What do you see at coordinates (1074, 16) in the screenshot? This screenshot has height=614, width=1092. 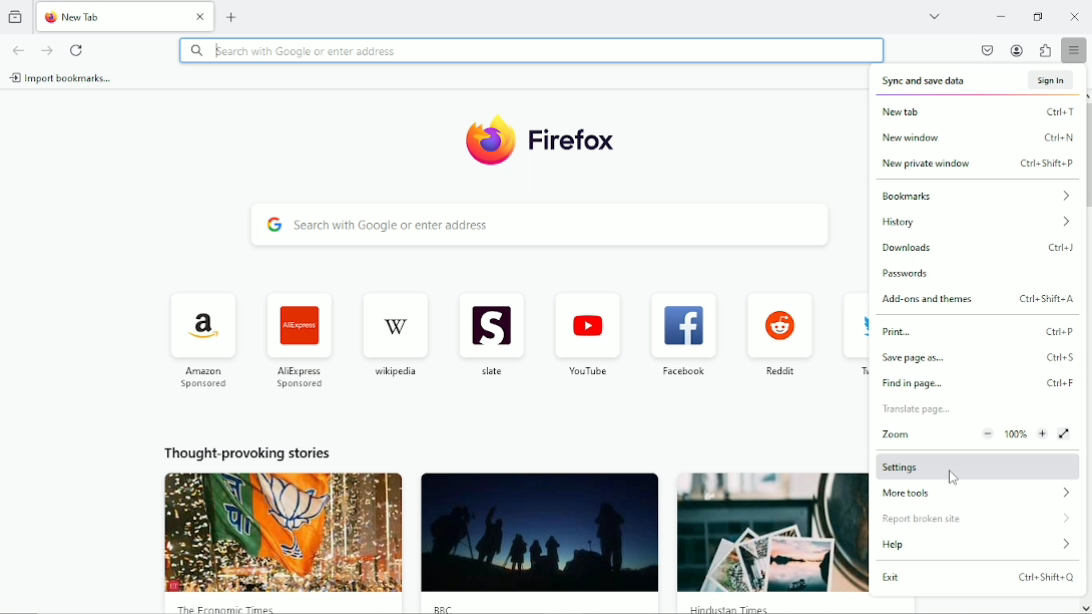 I see `Close` at bounding box center [1074, 16].